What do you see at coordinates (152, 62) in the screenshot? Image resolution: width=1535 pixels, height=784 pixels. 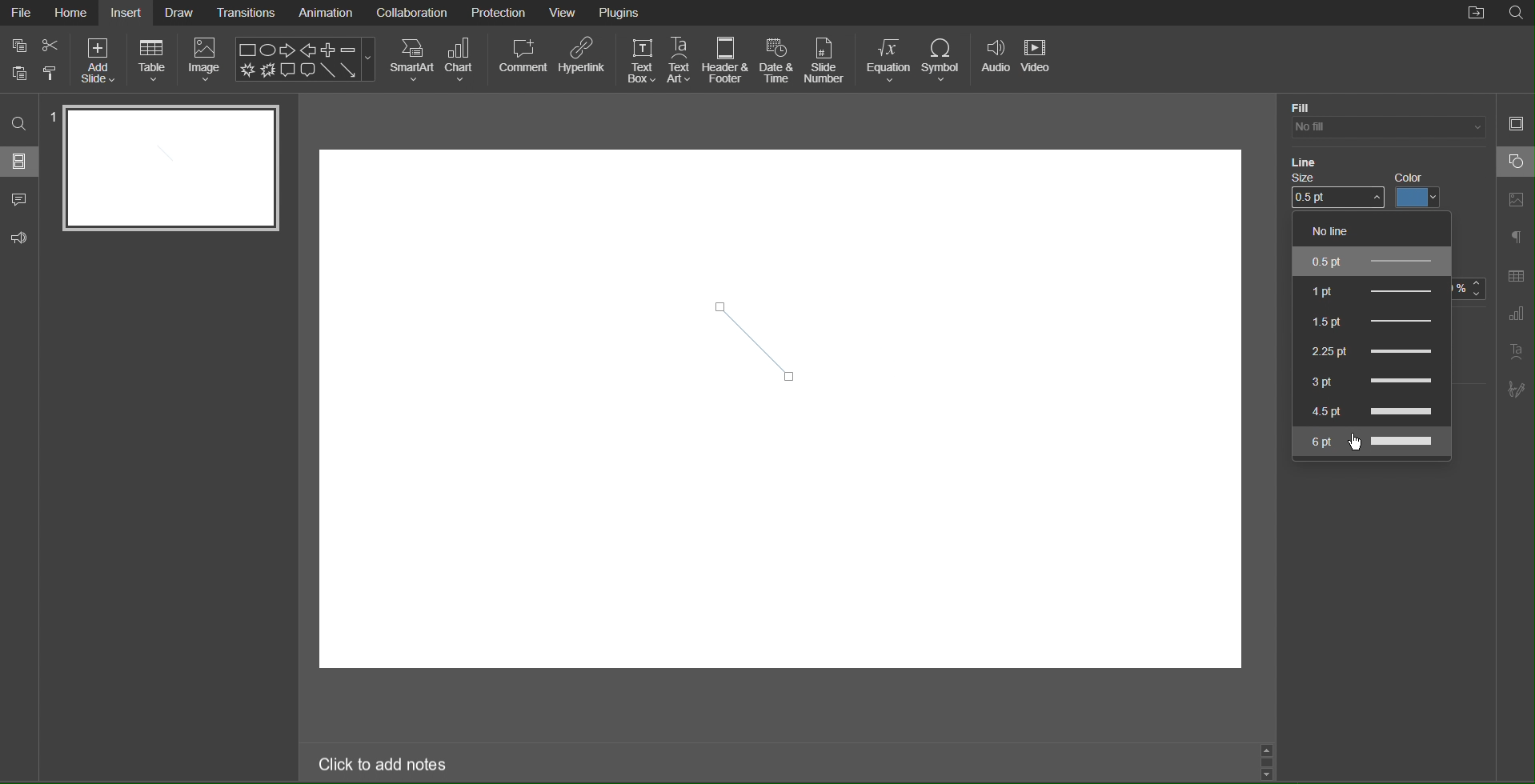 I see `Table` at bounding box center [152, 62].